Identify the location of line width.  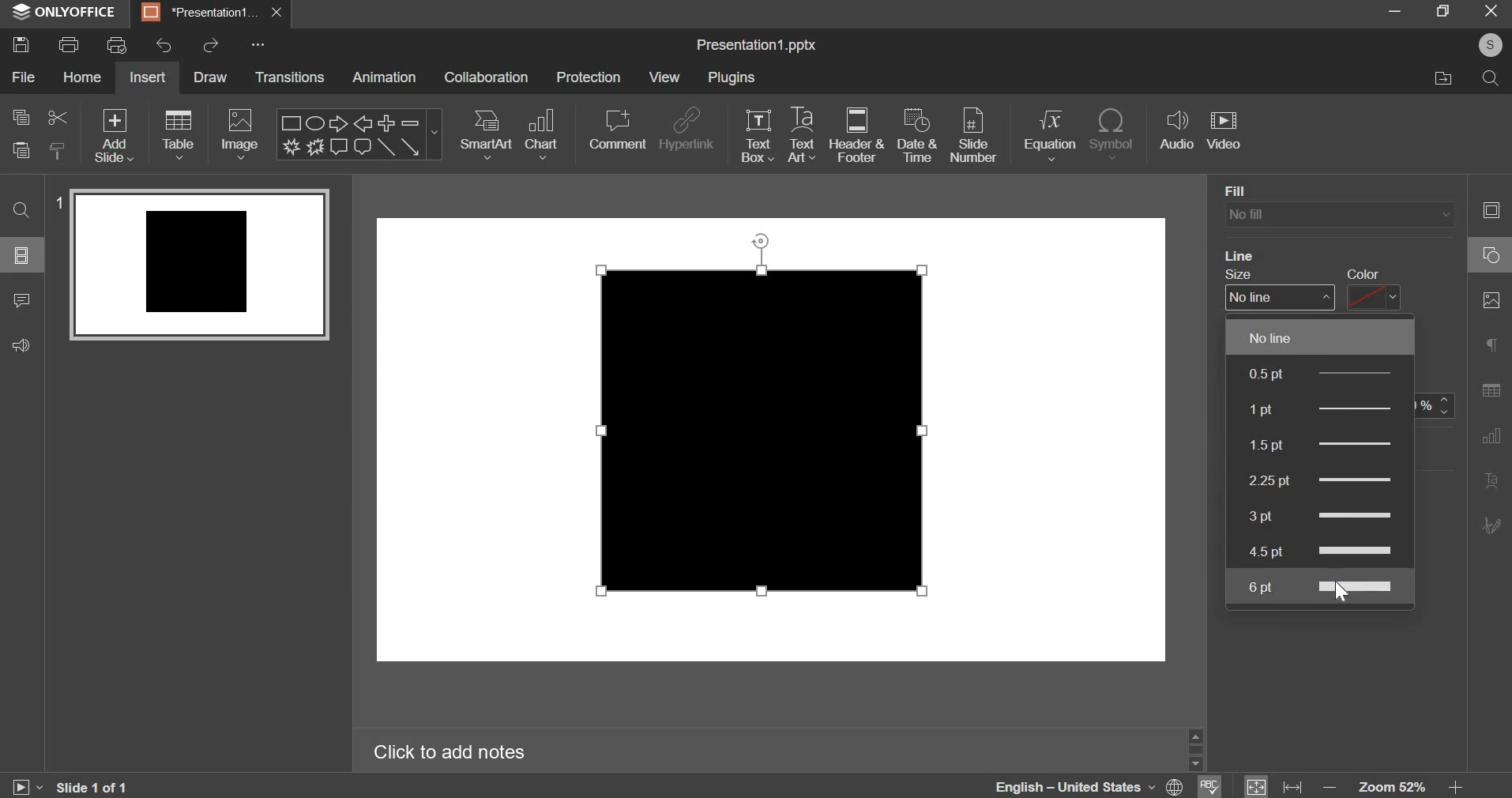
(1273, 297).